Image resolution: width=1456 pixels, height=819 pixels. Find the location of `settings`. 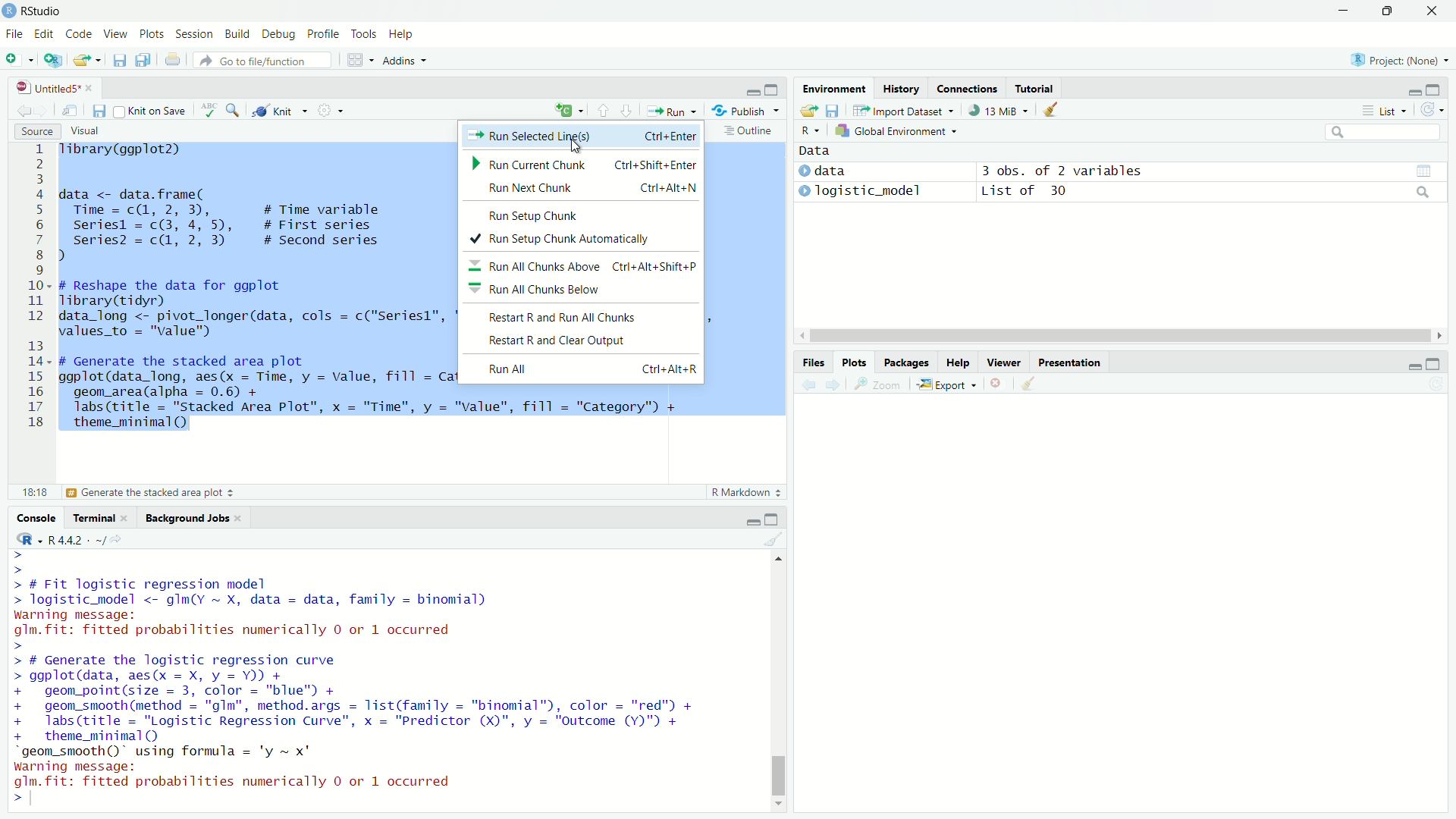

settings is located at coordinates (334, 110).